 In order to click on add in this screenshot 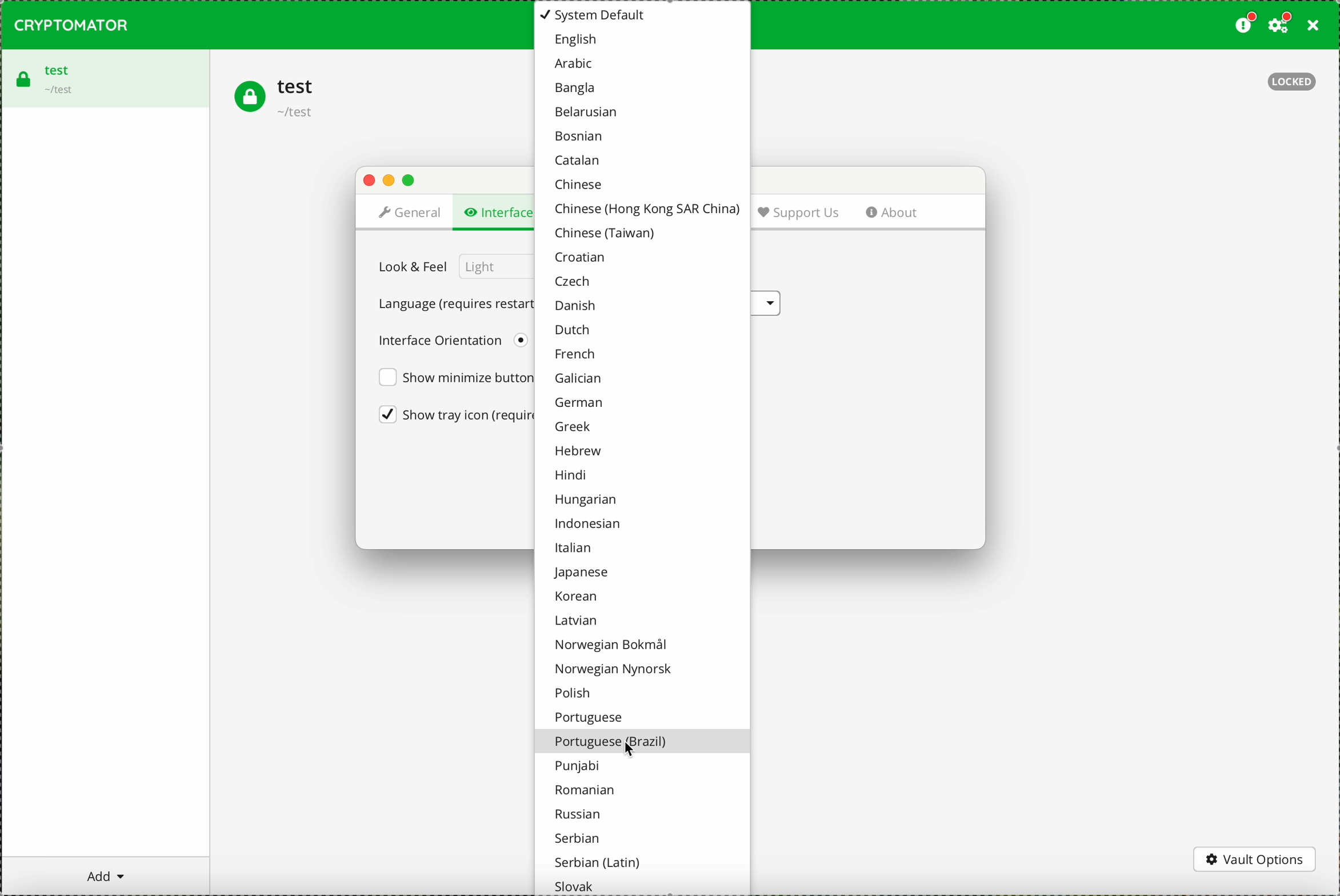, I will do `click(105, 878)`.